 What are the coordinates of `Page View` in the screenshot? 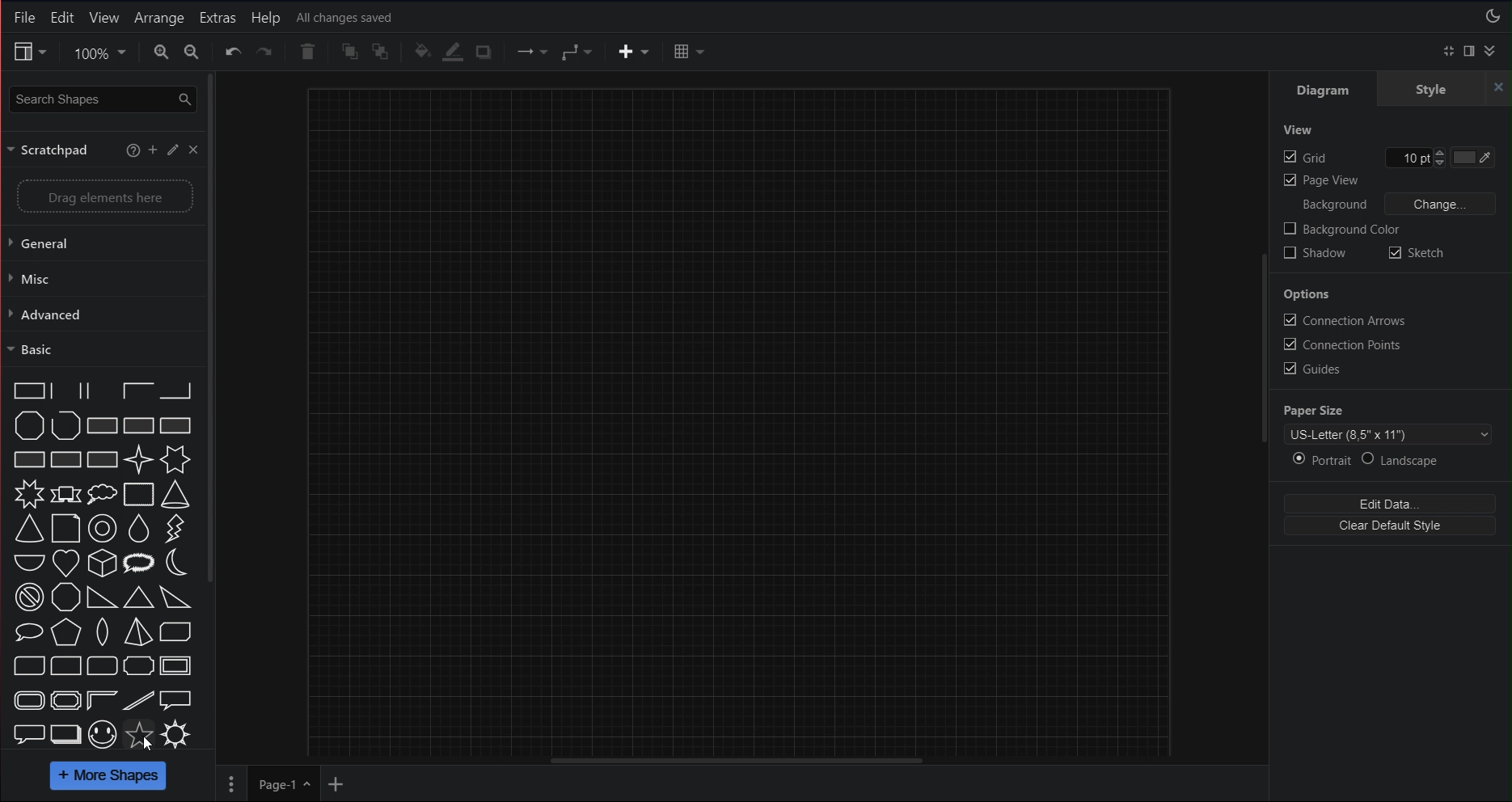 It's located at (1321, 180).